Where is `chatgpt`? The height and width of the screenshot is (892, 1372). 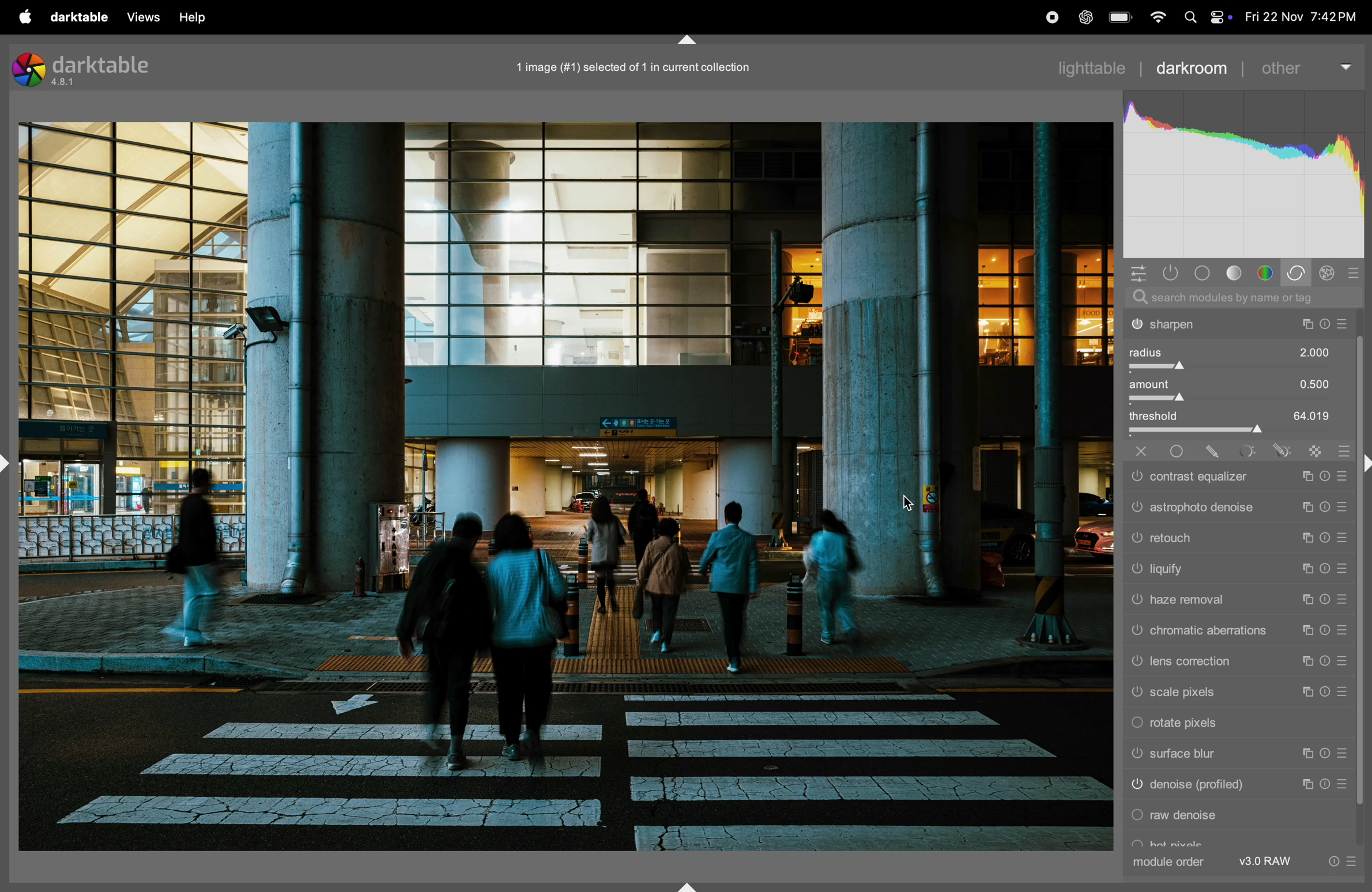
chatgpt is located at coordinates (1084, 17).